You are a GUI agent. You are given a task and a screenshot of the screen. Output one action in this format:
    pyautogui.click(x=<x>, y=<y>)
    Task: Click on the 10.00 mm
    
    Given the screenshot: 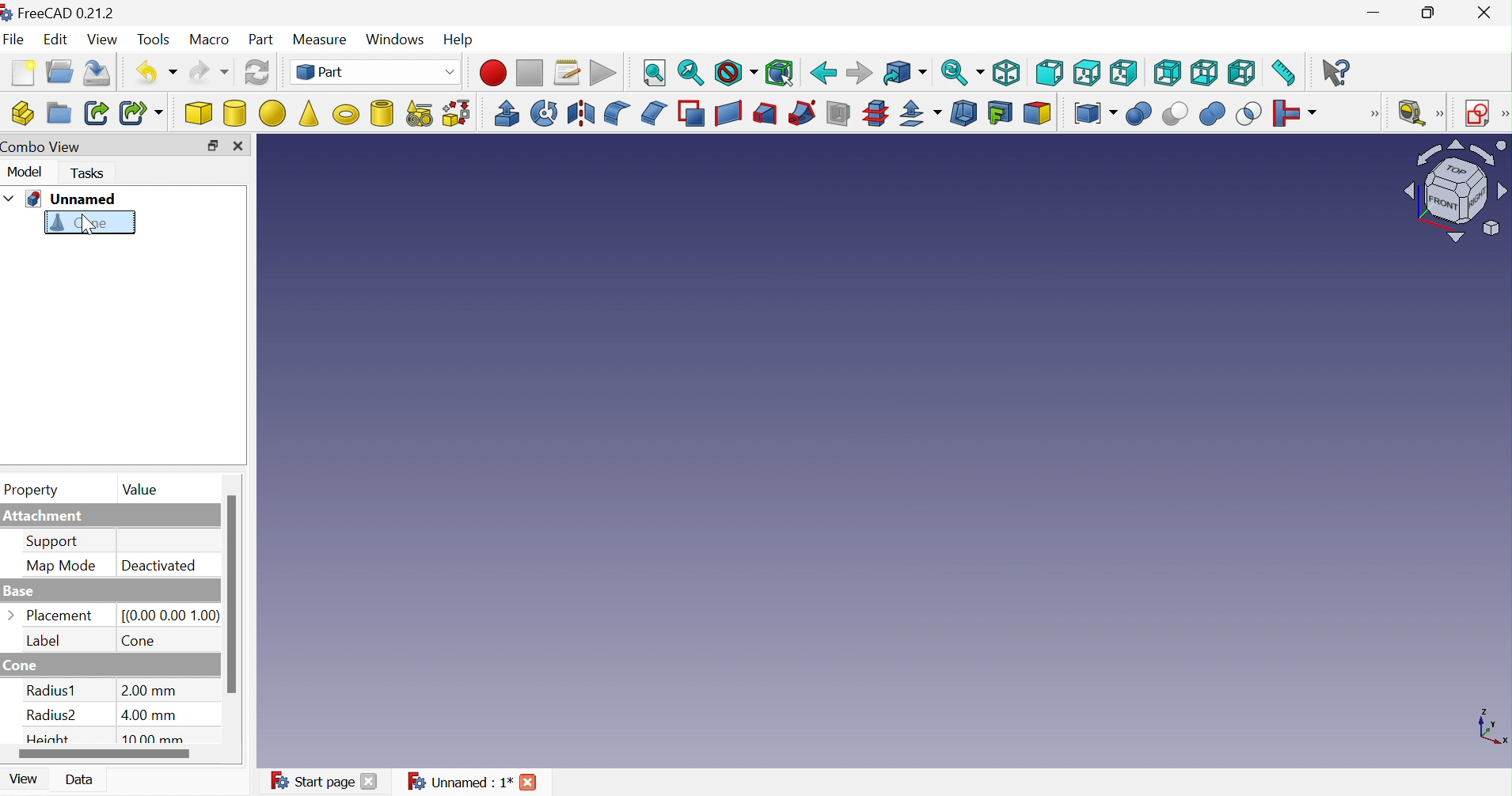 What is the action you would take?
    pyautogui.click(x=158, y=739)
    